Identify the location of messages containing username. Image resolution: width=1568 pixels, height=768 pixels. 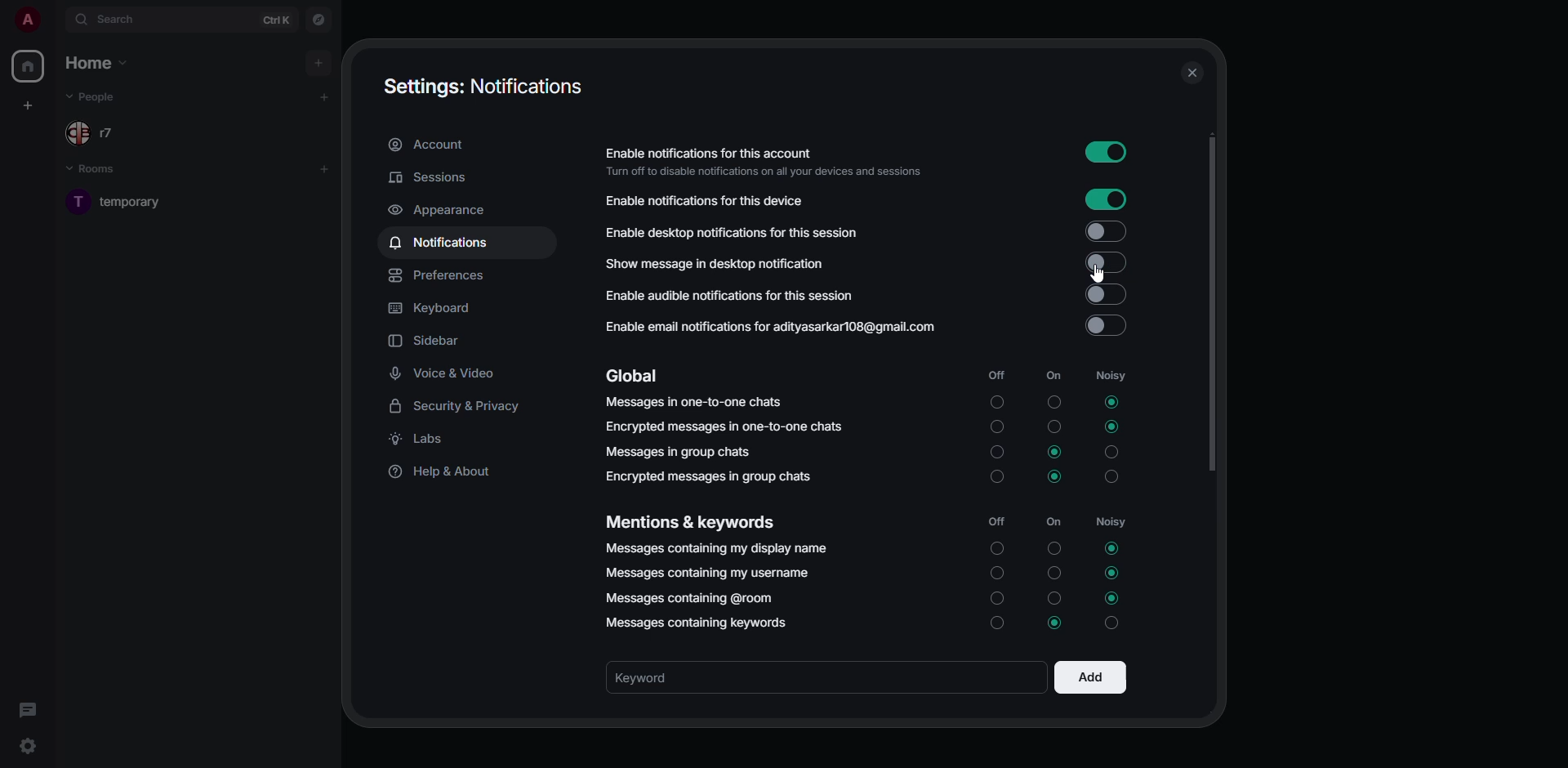
(709, 574).